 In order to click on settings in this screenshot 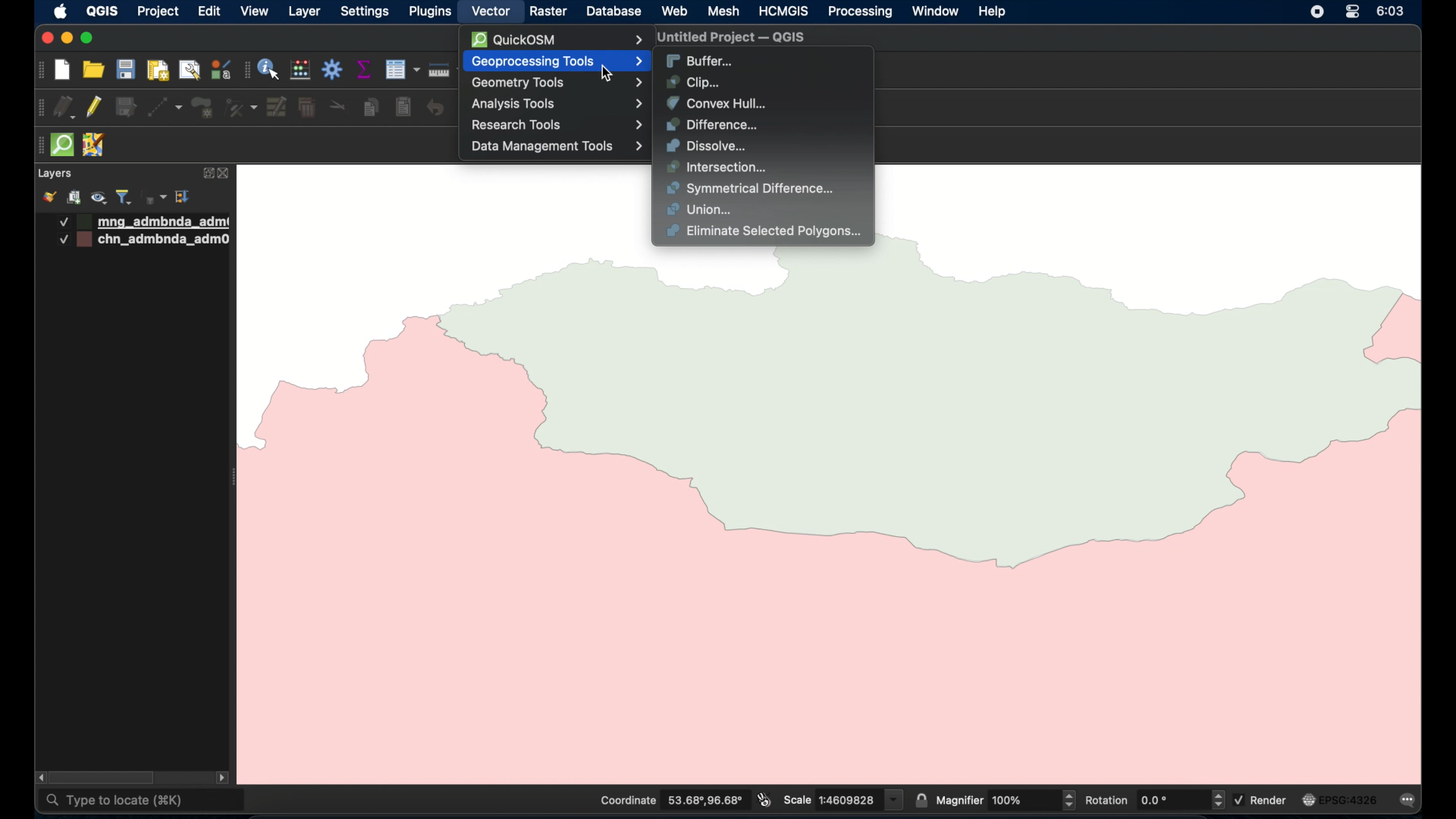, I will do `click(364, 13)`.